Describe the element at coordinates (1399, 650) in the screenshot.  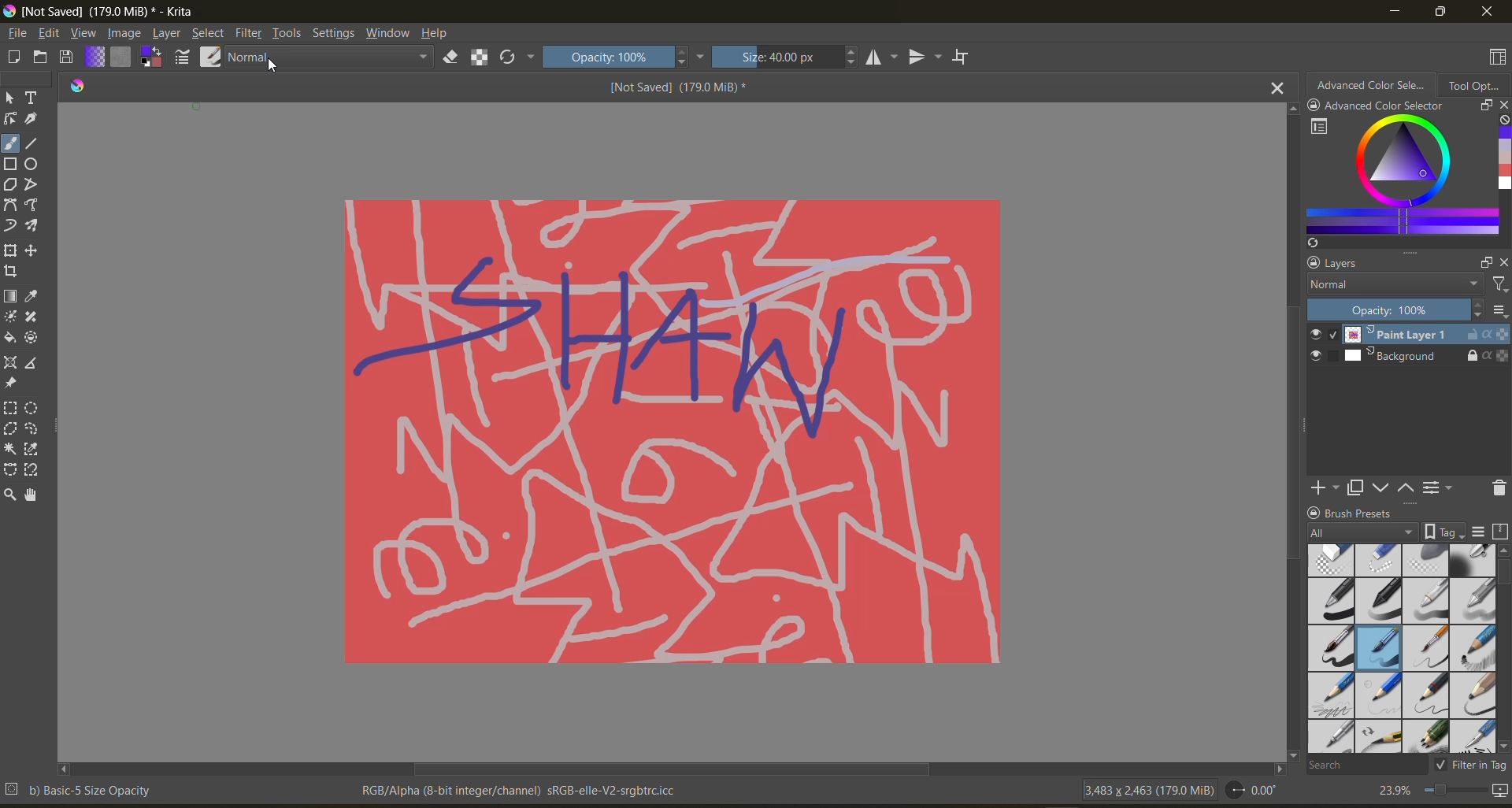
I see `brush presets` at that location.